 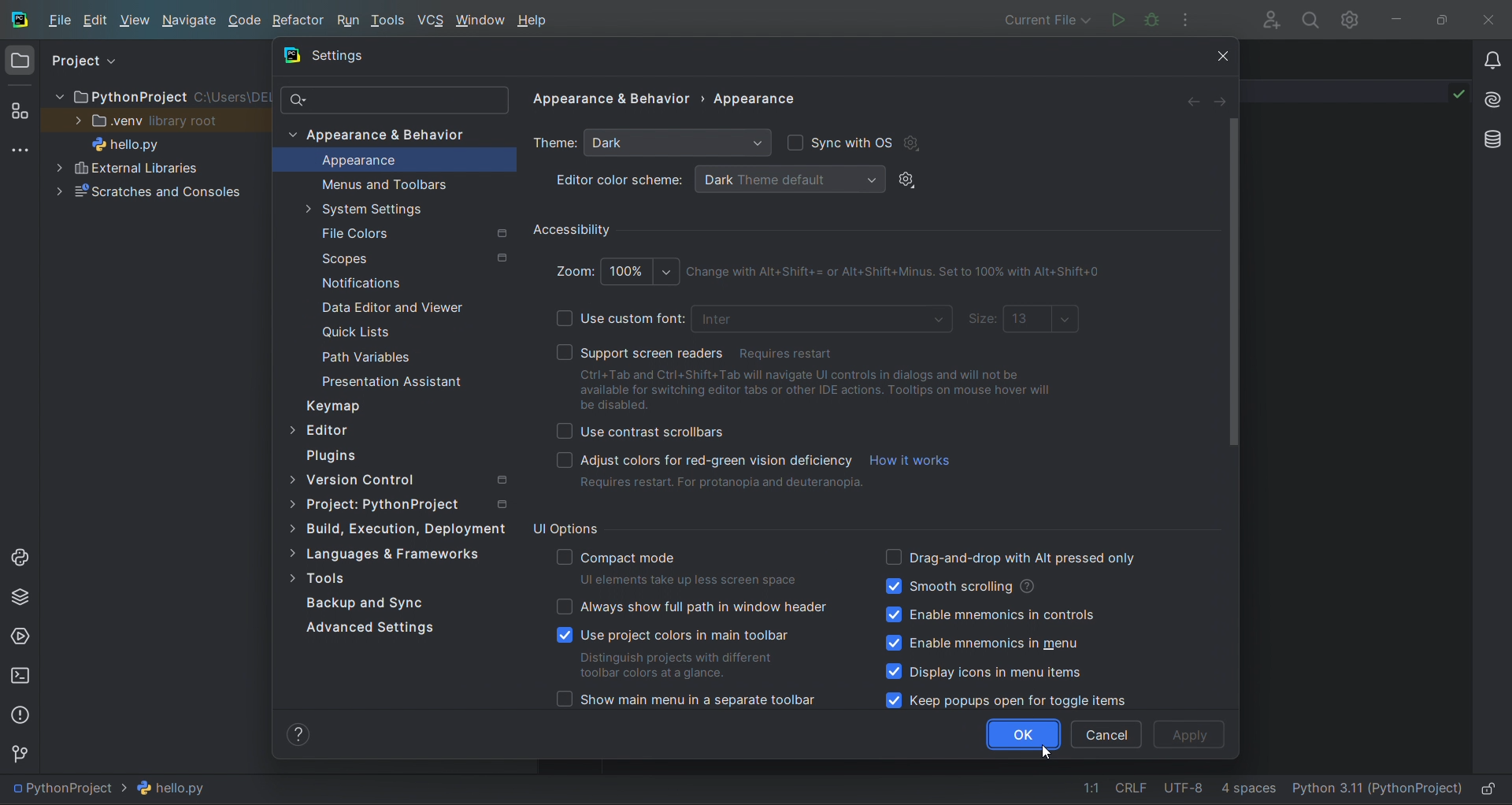 What do you see at coordinates (1492, 98) in the screenshot?
I see `ai assistant` at bounding box center [1492, 98].